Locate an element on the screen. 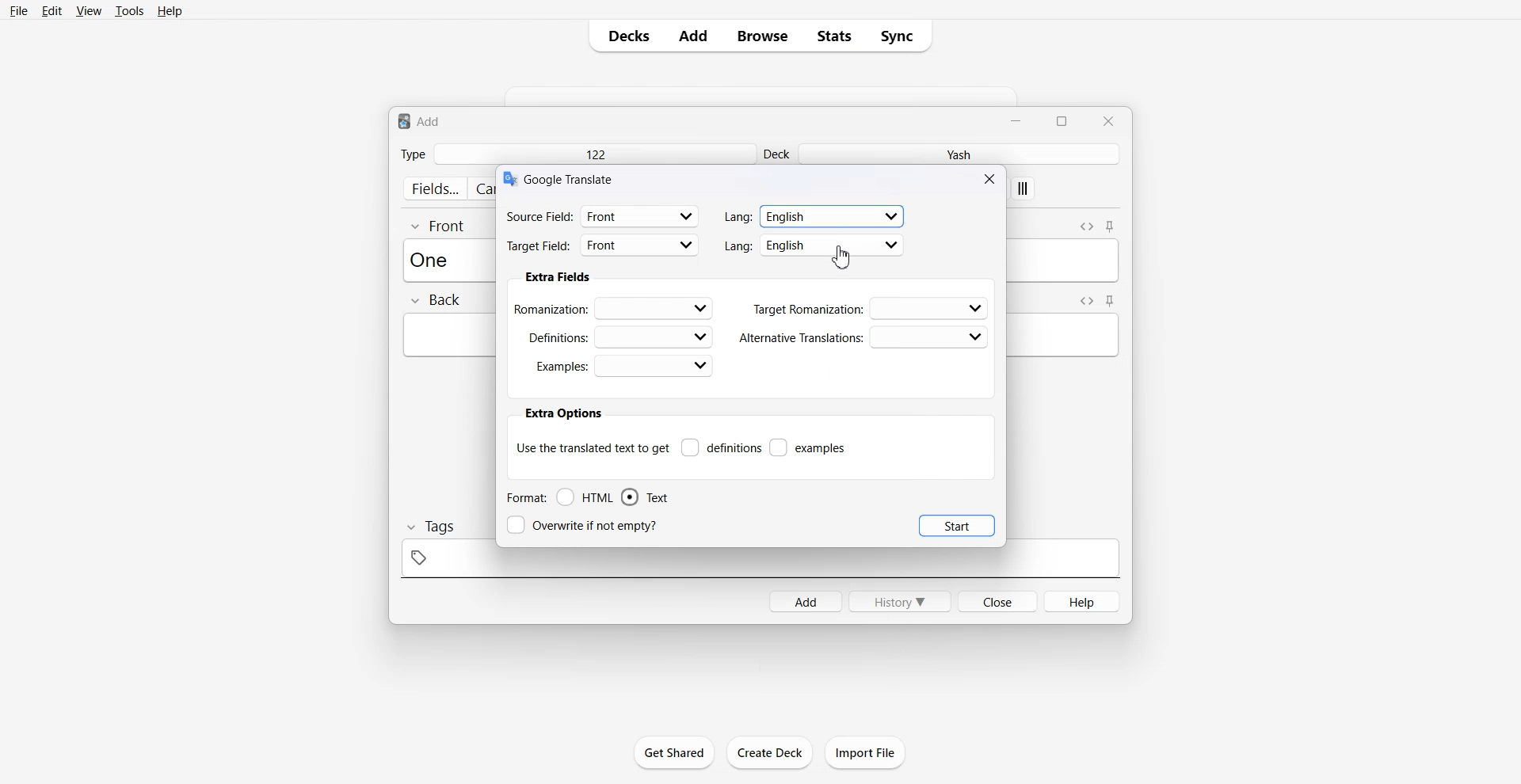  examples is located at coordinates (809, 447).